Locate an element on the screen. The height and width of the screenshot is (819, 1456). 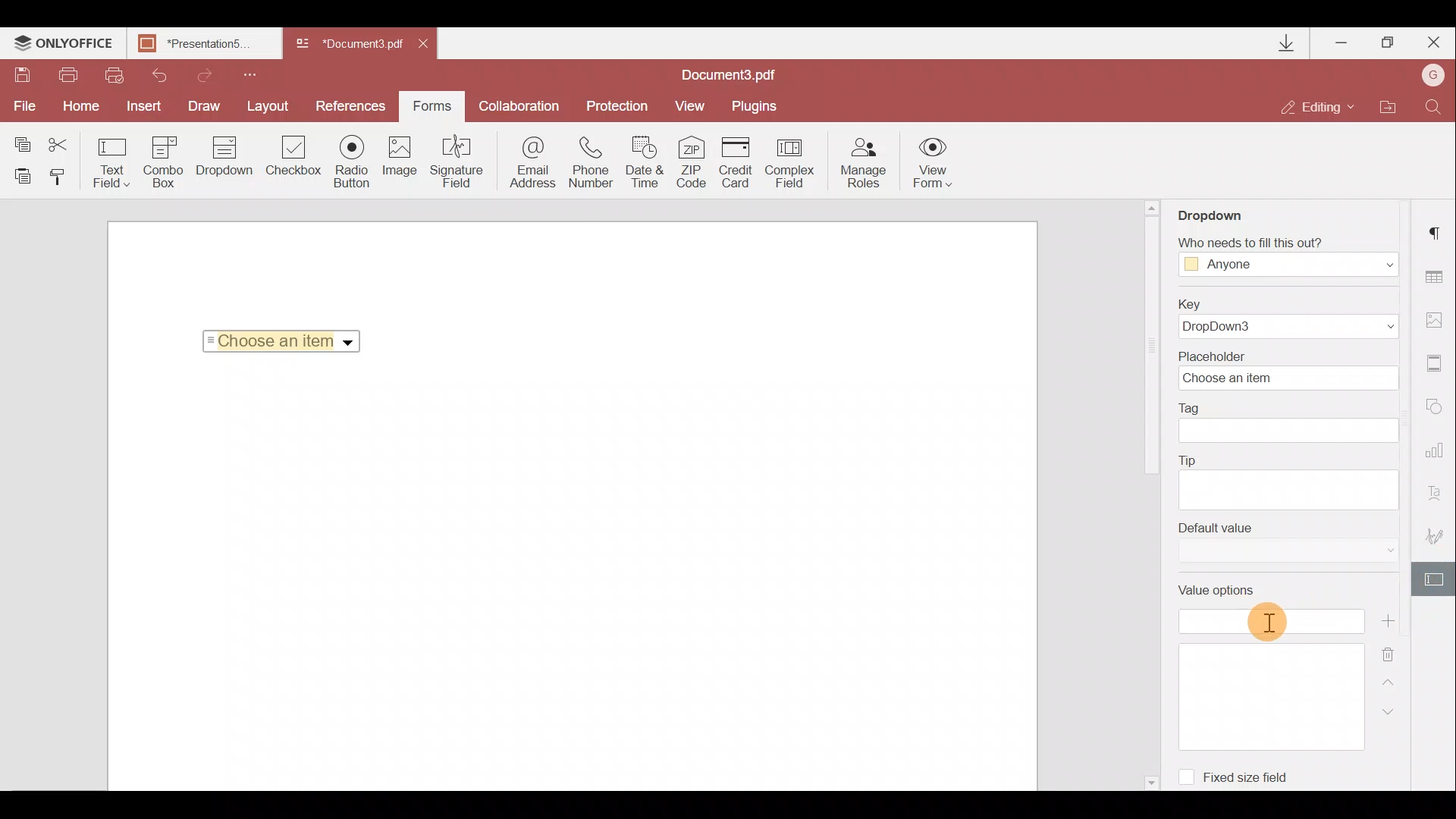
Text Art settings is located at coordinates (1439, 491).